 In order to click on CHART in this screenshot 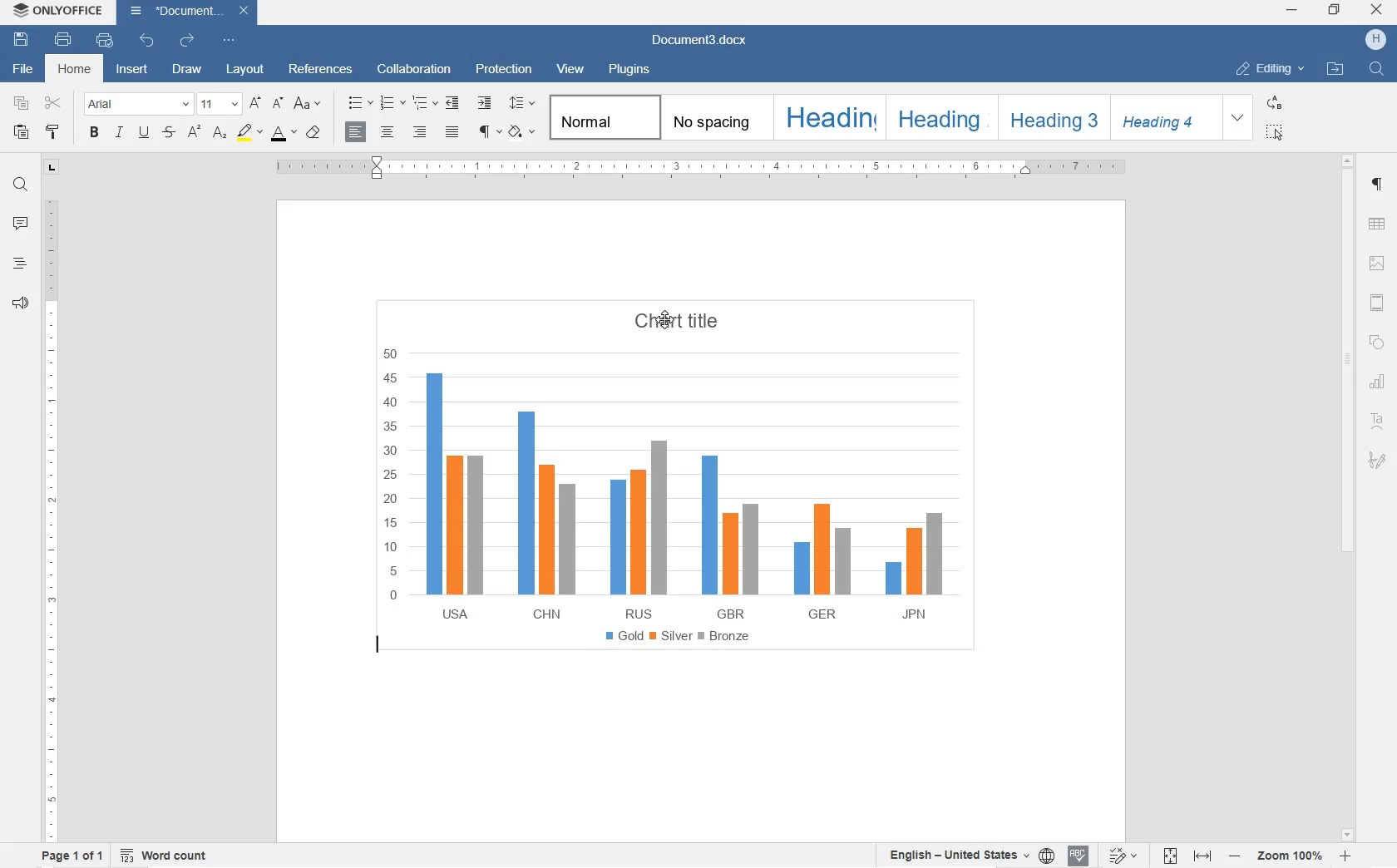, I will do `click(1375, 382)`.